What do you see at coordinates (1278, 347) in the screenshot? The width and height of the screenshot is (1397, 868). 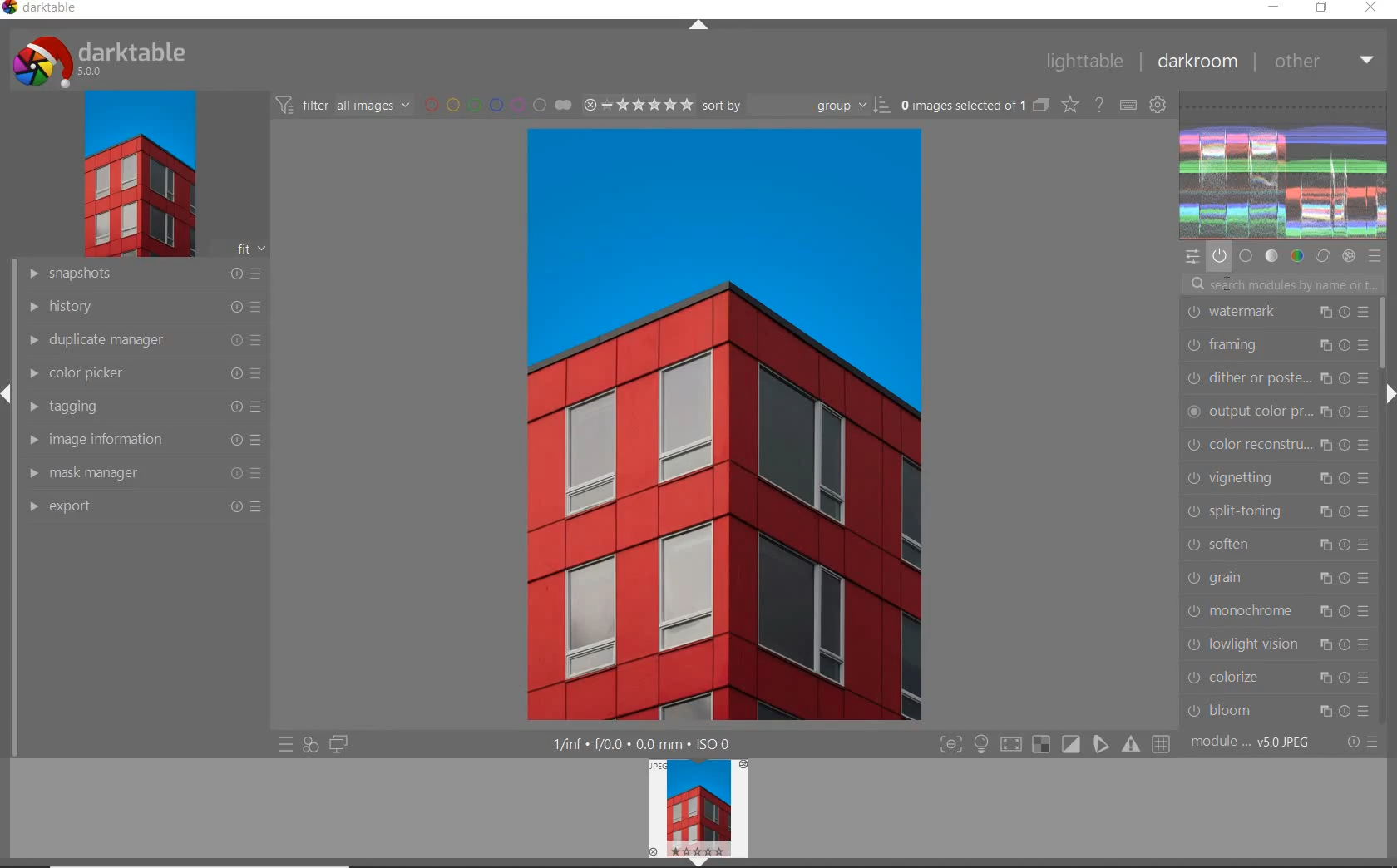 I see `framing` at bounding box center [1278, 347].